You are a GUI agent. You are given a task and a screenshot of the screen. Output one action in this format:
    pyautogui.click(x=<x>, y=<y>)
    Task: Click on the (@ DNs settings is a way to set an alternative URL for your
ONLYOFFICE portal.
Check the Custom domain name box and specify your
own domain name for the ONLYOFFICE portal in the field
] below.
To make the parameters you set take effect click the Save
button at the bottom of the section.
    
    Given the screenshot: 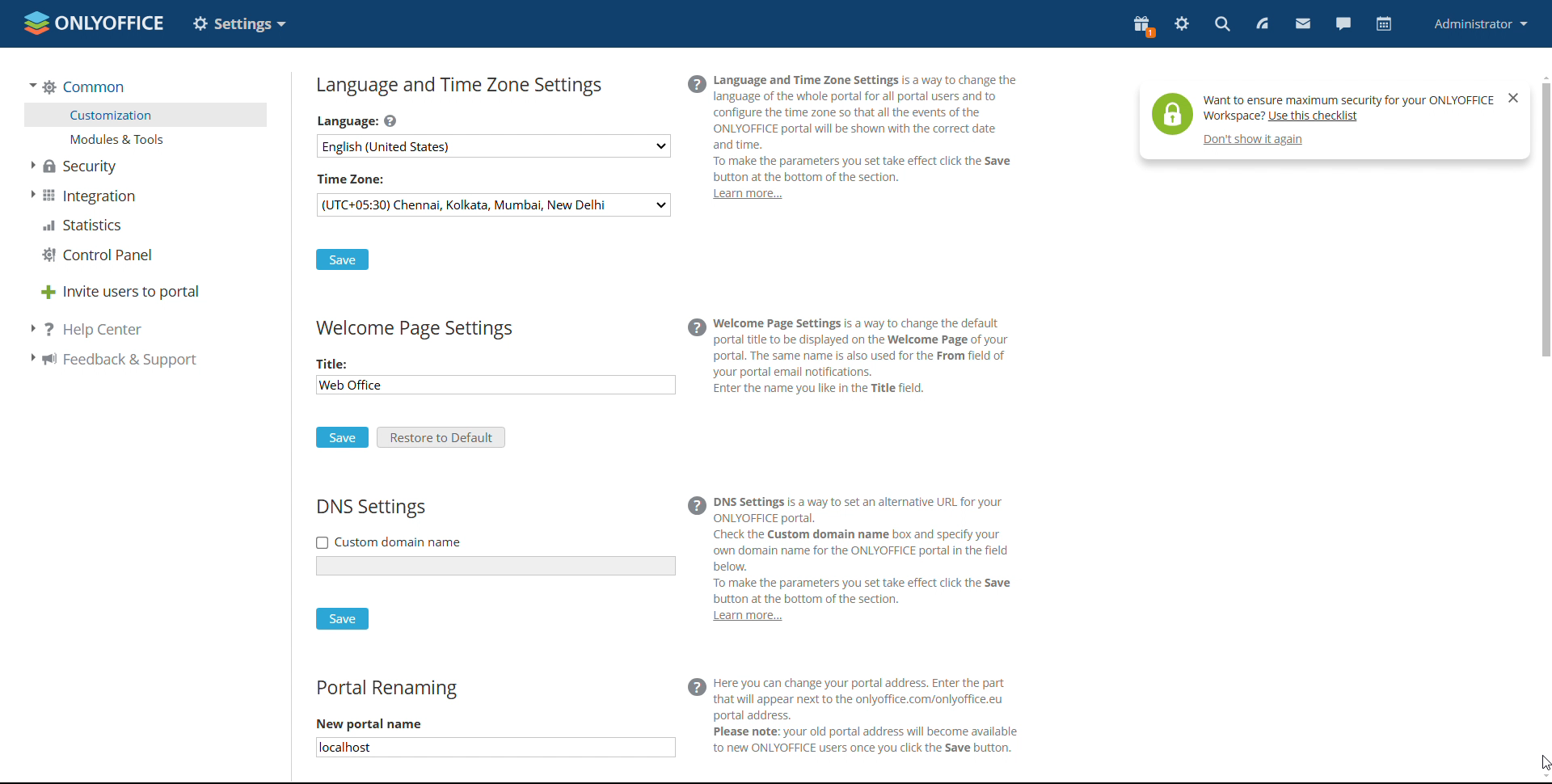 What is the action you would take?
    pyautogui.click(x=867, y=550)
    